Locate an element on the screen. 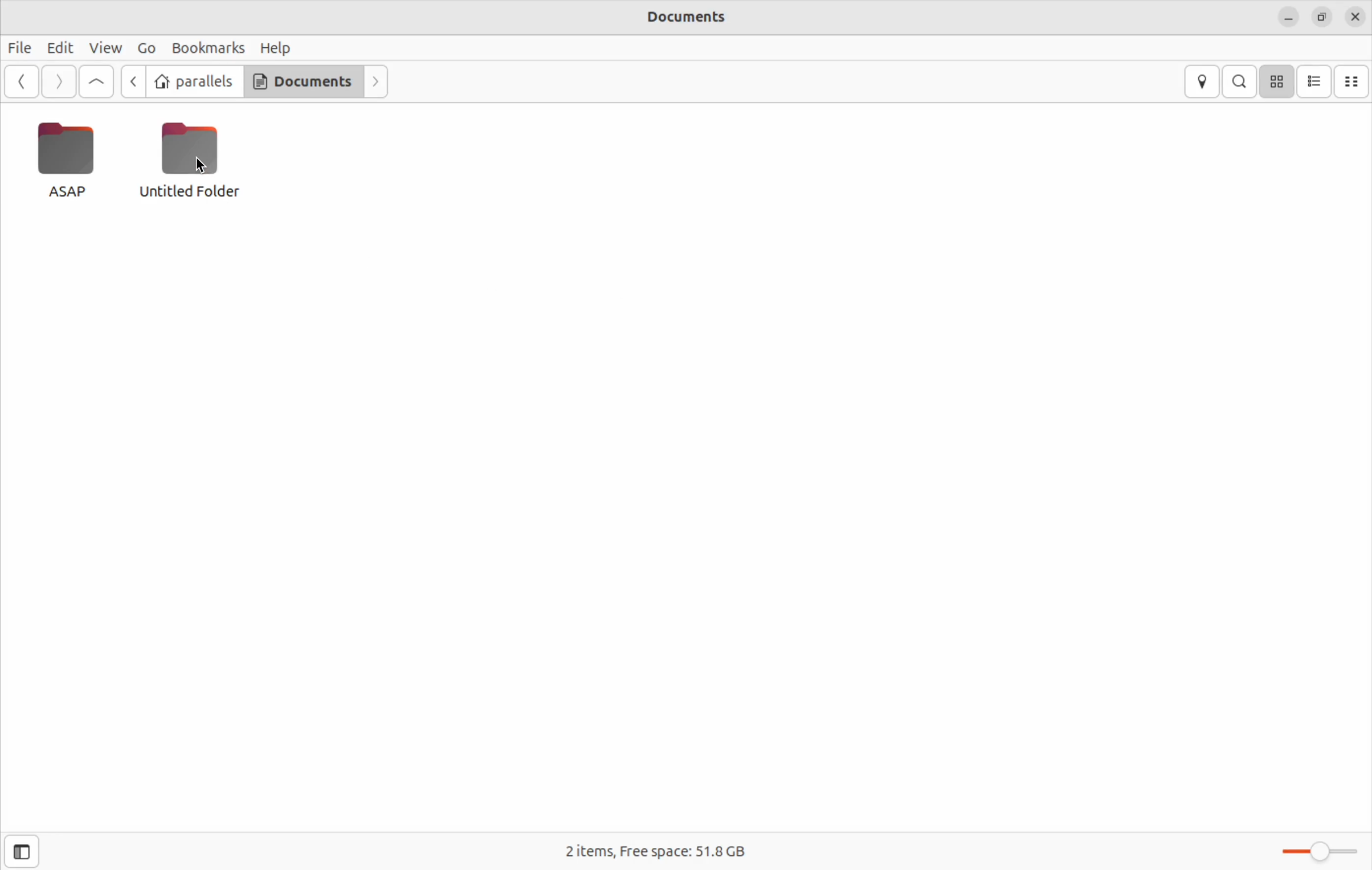 This screenshot has height=870, width=1372. cursor is located at coordinates (201, 163).